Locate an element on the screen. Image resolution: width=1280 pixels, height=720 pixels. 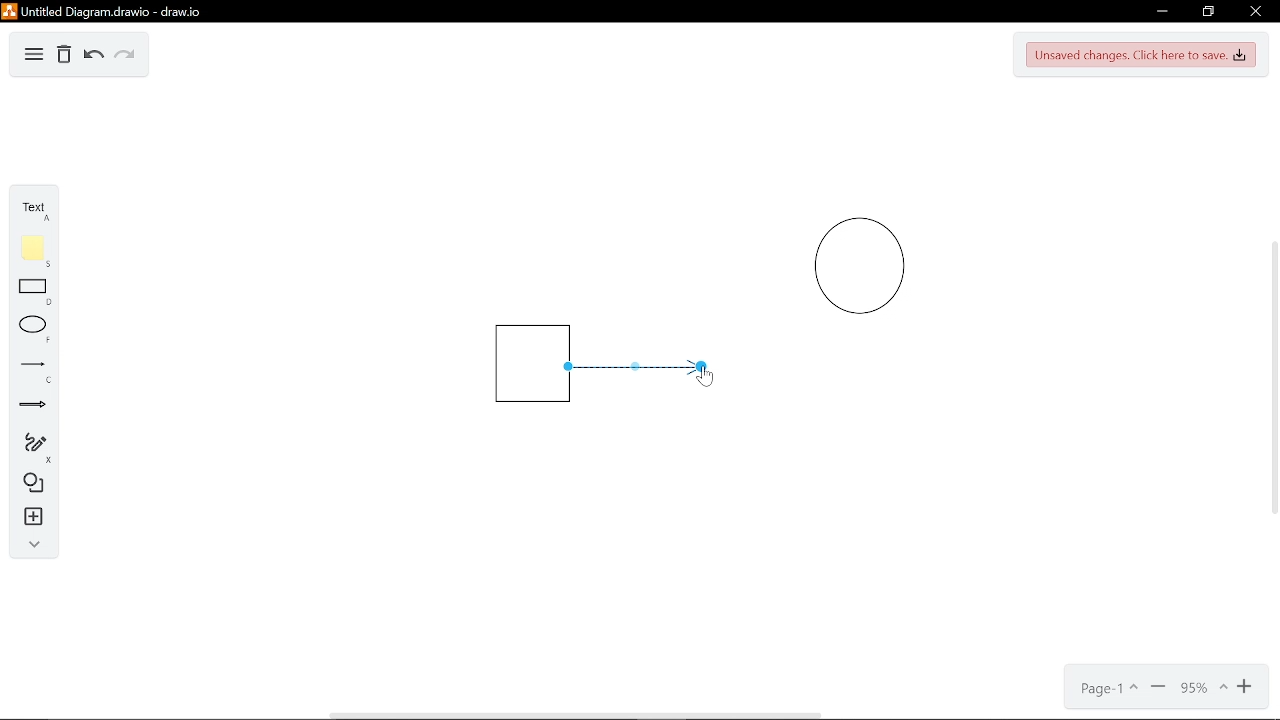
Arrow is located at coordinates (26, 406).